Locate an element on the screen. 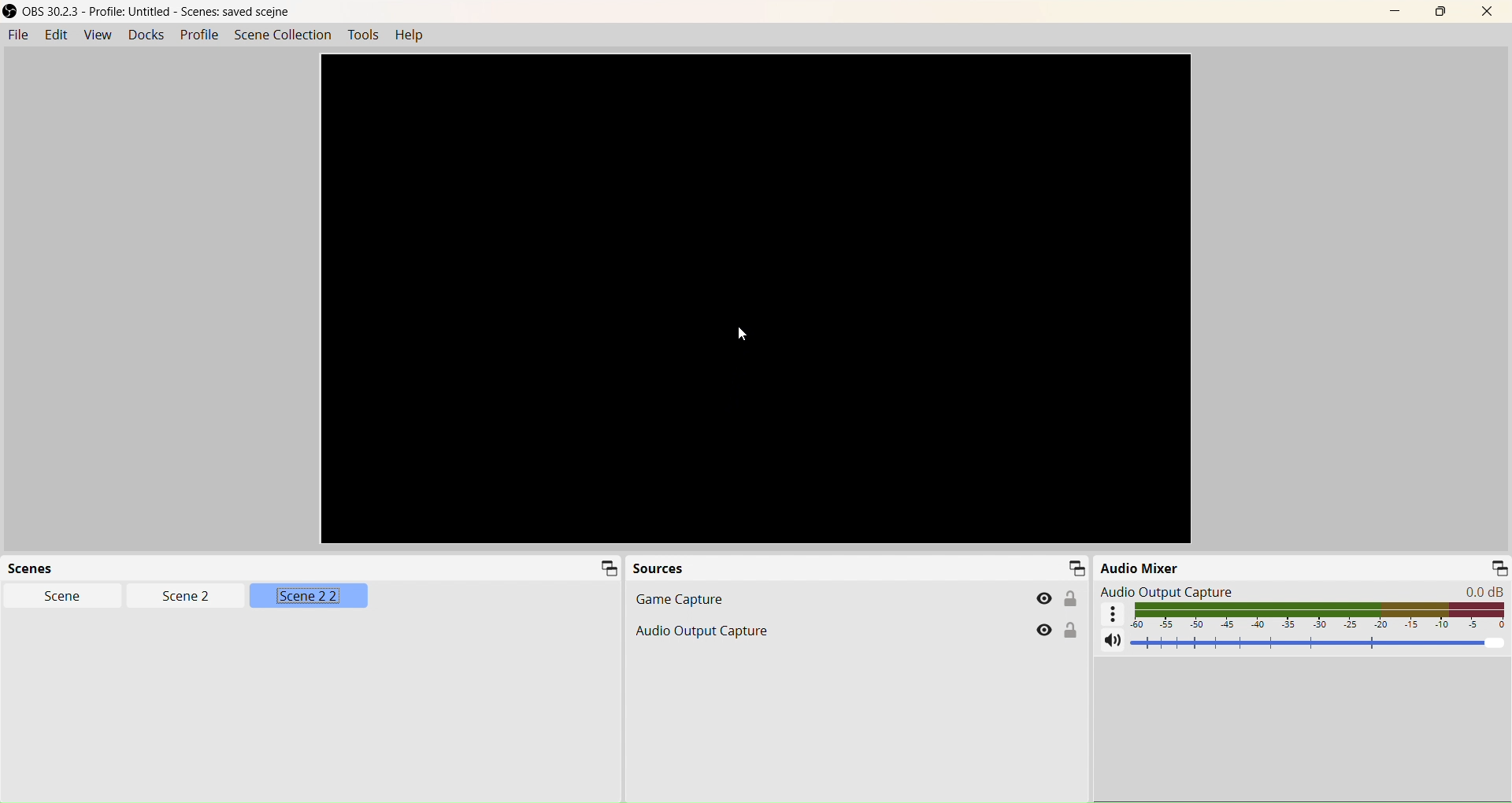 This screenshot has width=1512, height=803. Audio Output Capture is located at coordinates (855, 629).